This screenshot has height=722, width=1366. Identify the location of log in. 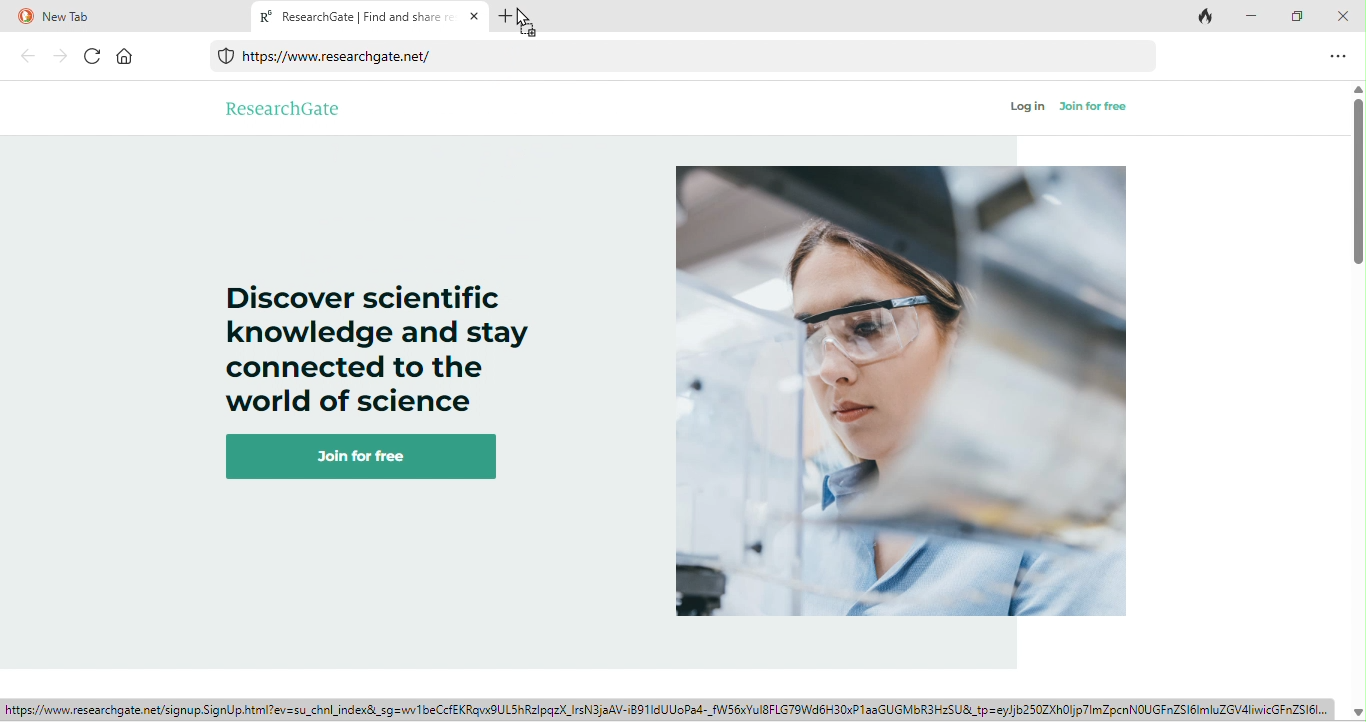
(1028, 107).